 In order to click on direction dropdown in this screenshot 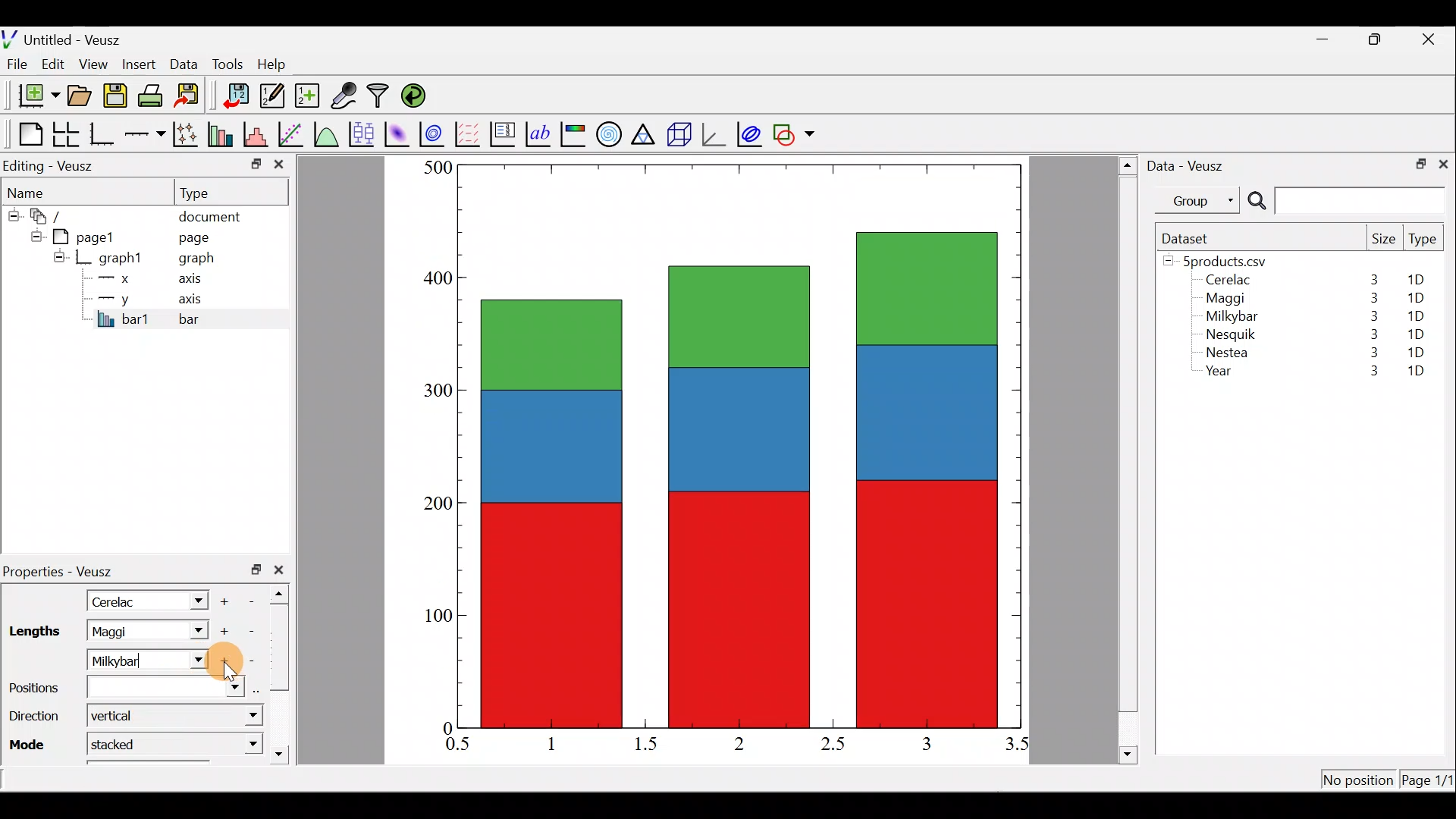, I will do `click(237, 717)`.